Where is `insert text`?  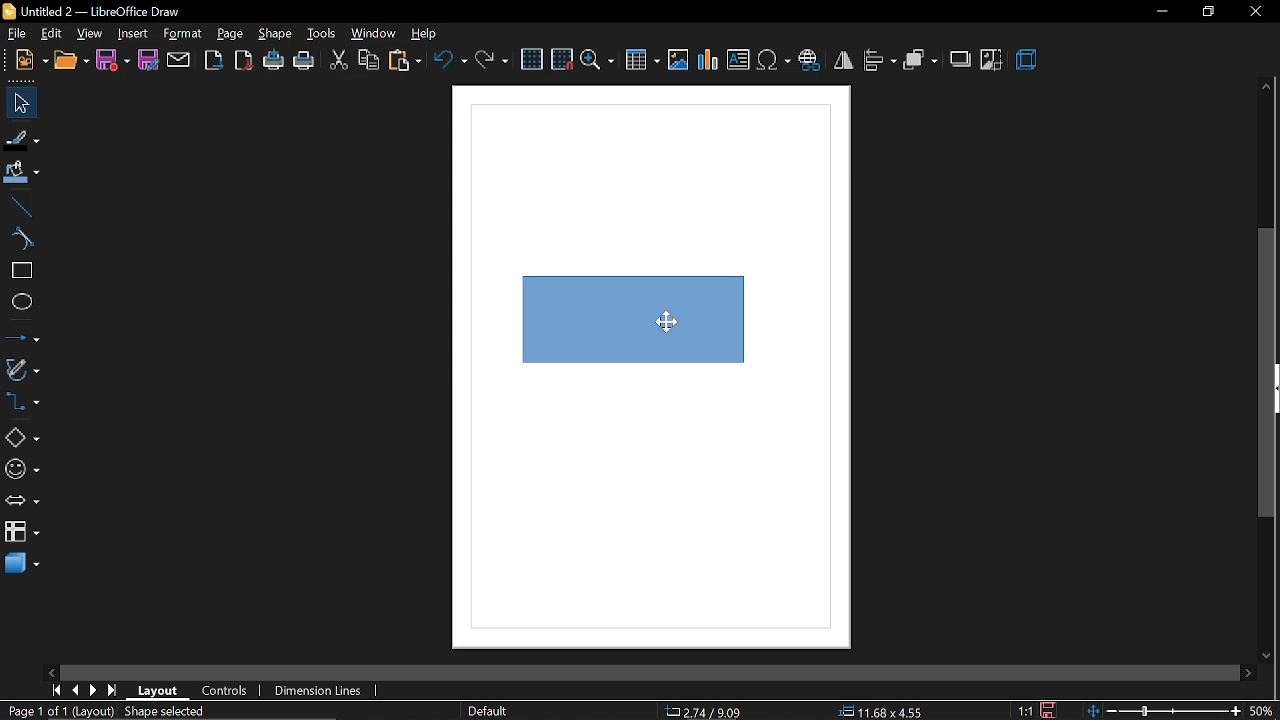 insert text is located at coordinates (738, 60).